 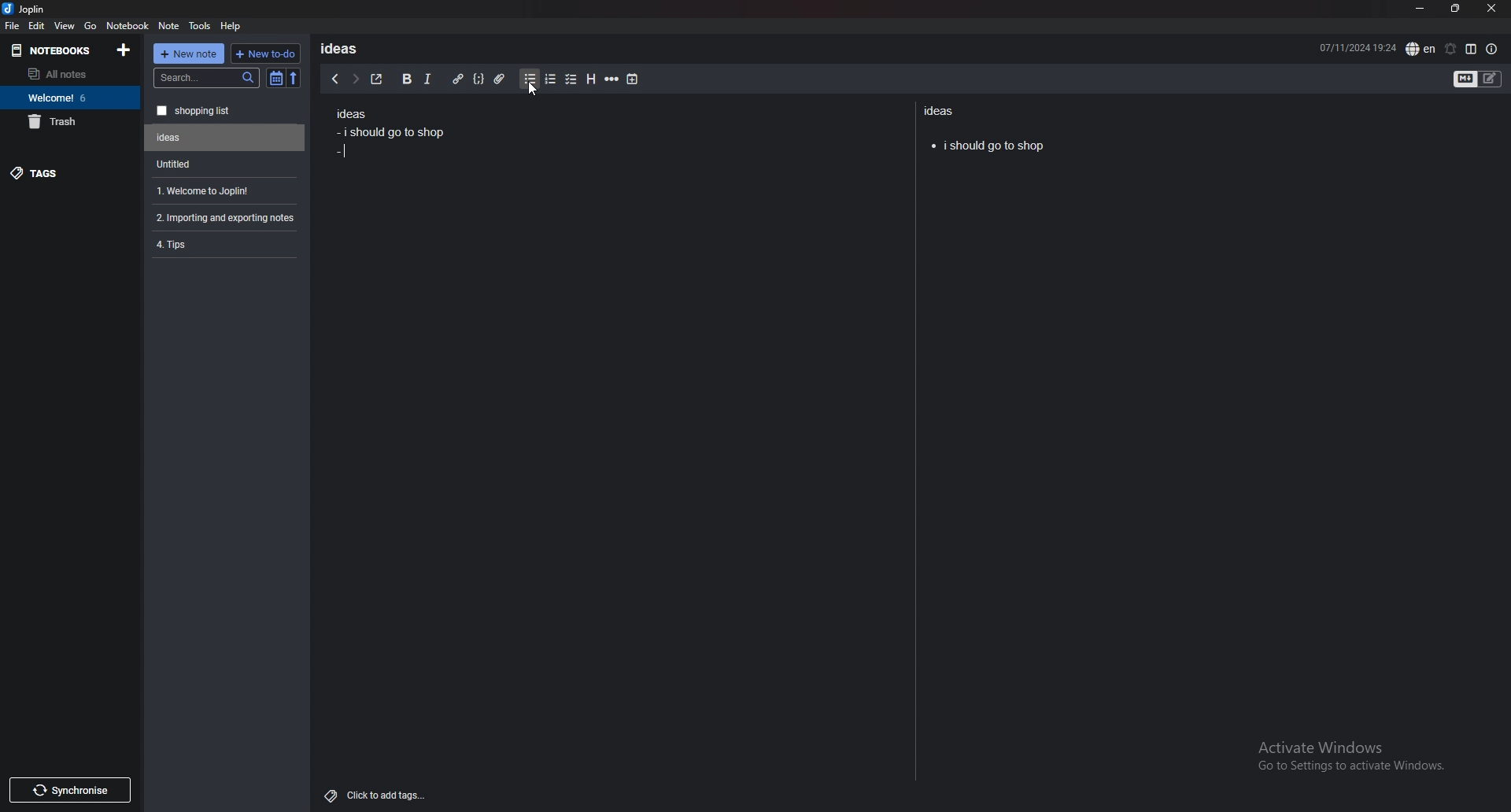 What do you see at coordinates (1420, 9) in the screenshot?
I see `minimize` at bounding box center [1420, 9].